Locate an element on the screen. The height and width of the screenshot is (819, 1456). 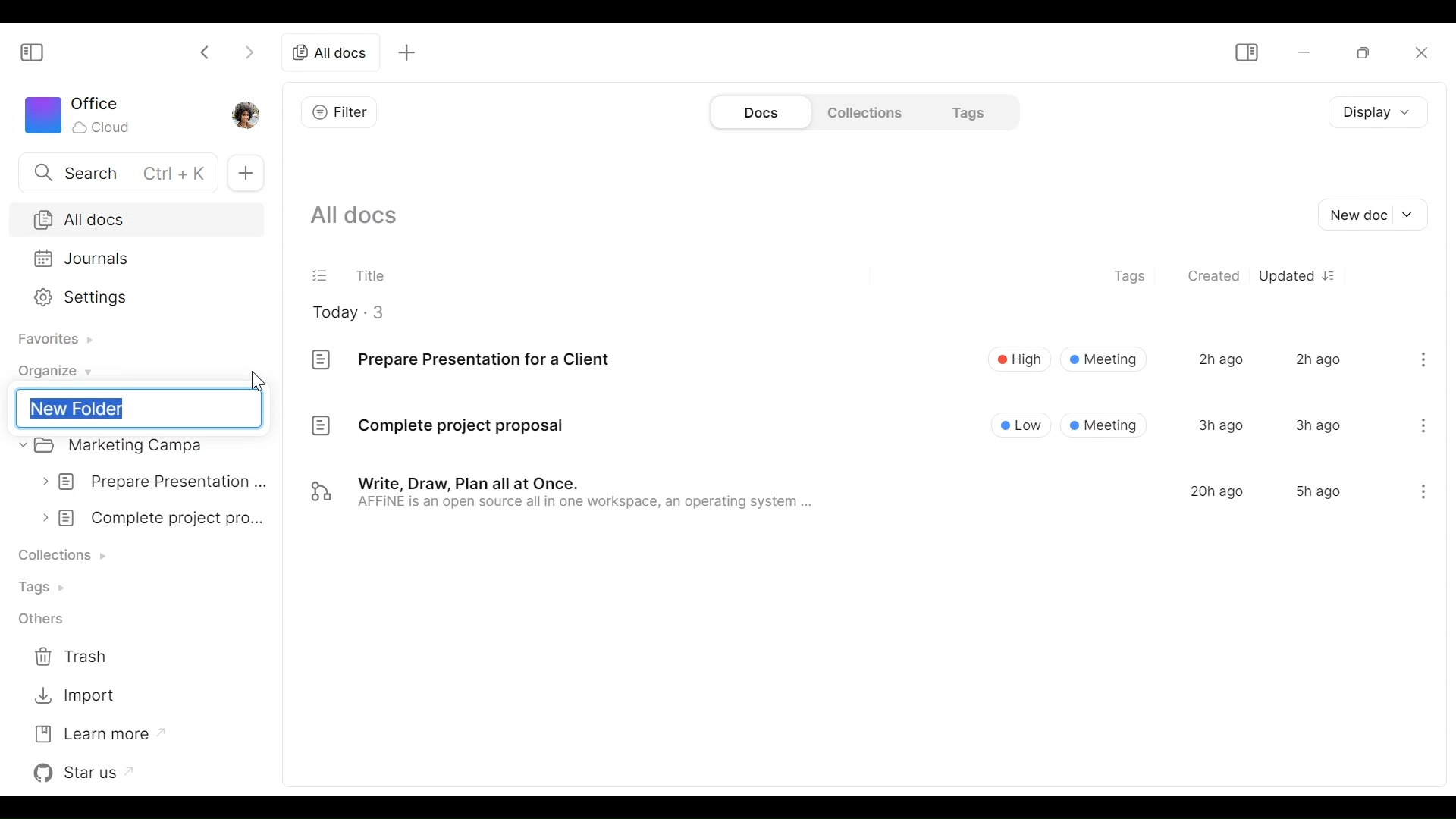
Tags is located at coordinates (966, 111).